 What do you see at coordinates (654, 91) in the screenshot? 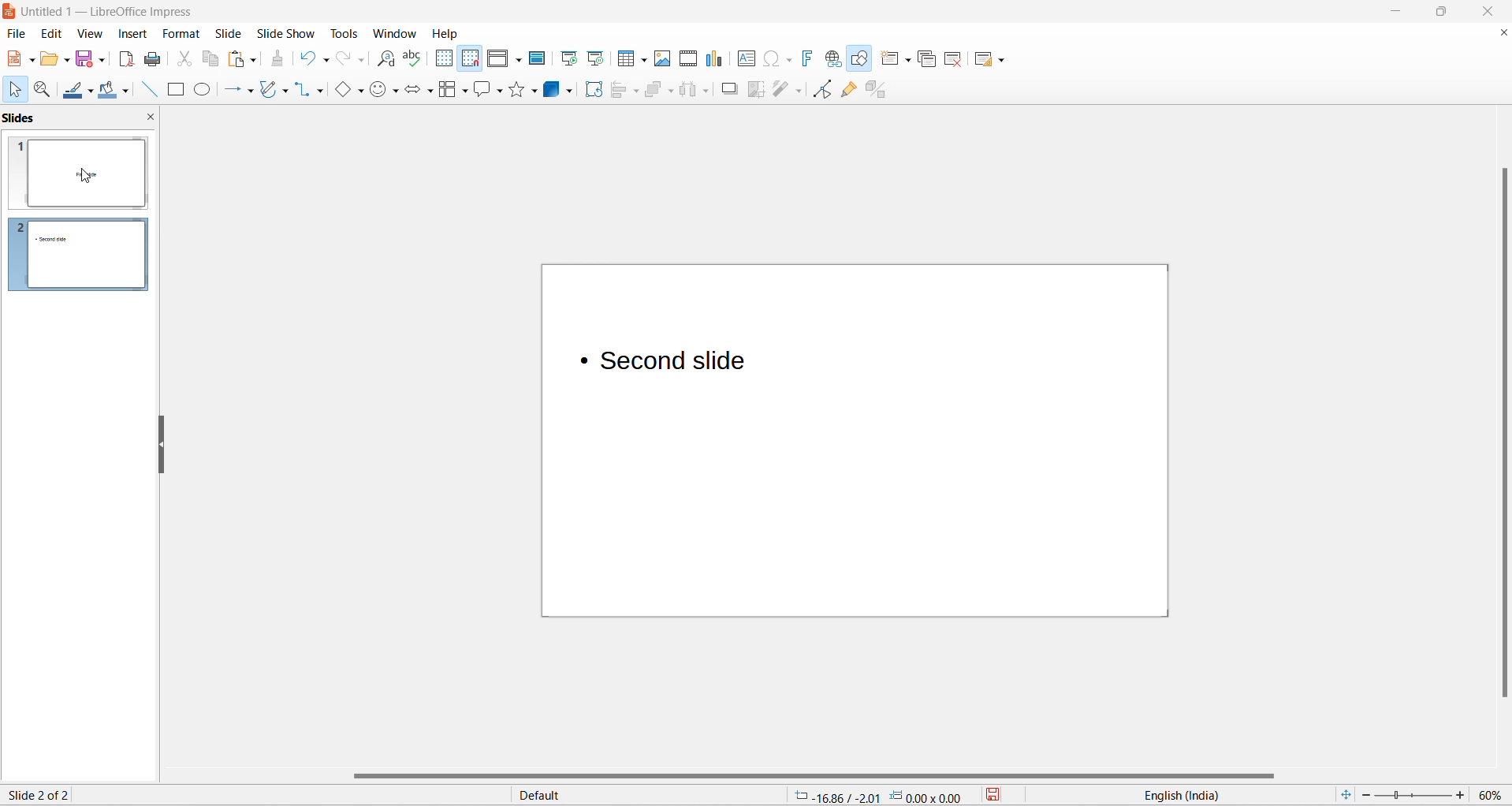
I see `arrange` at bounding box center [654, 91].